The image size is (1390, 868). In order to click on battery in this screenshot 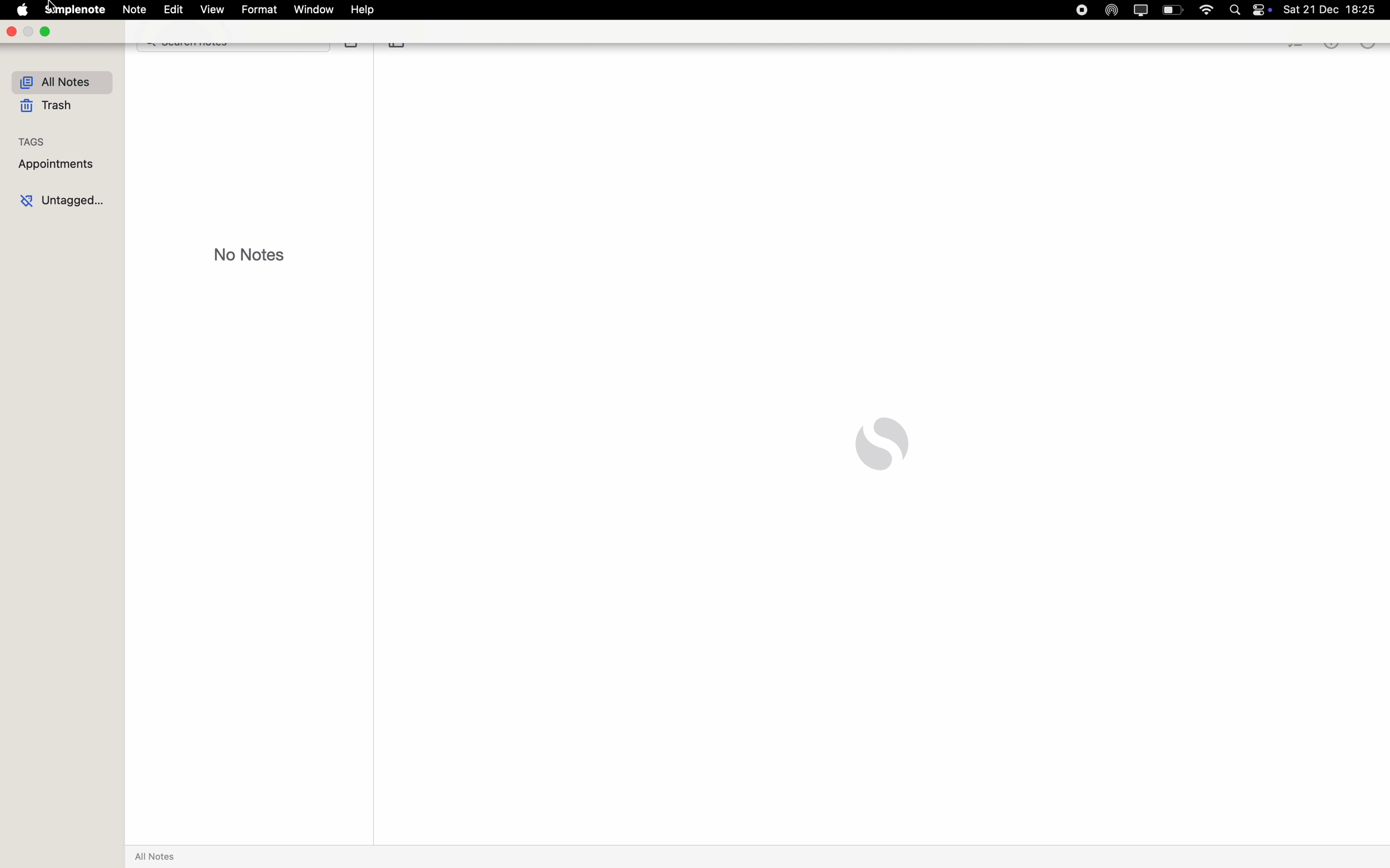, I will do `click(1170, 10)`.